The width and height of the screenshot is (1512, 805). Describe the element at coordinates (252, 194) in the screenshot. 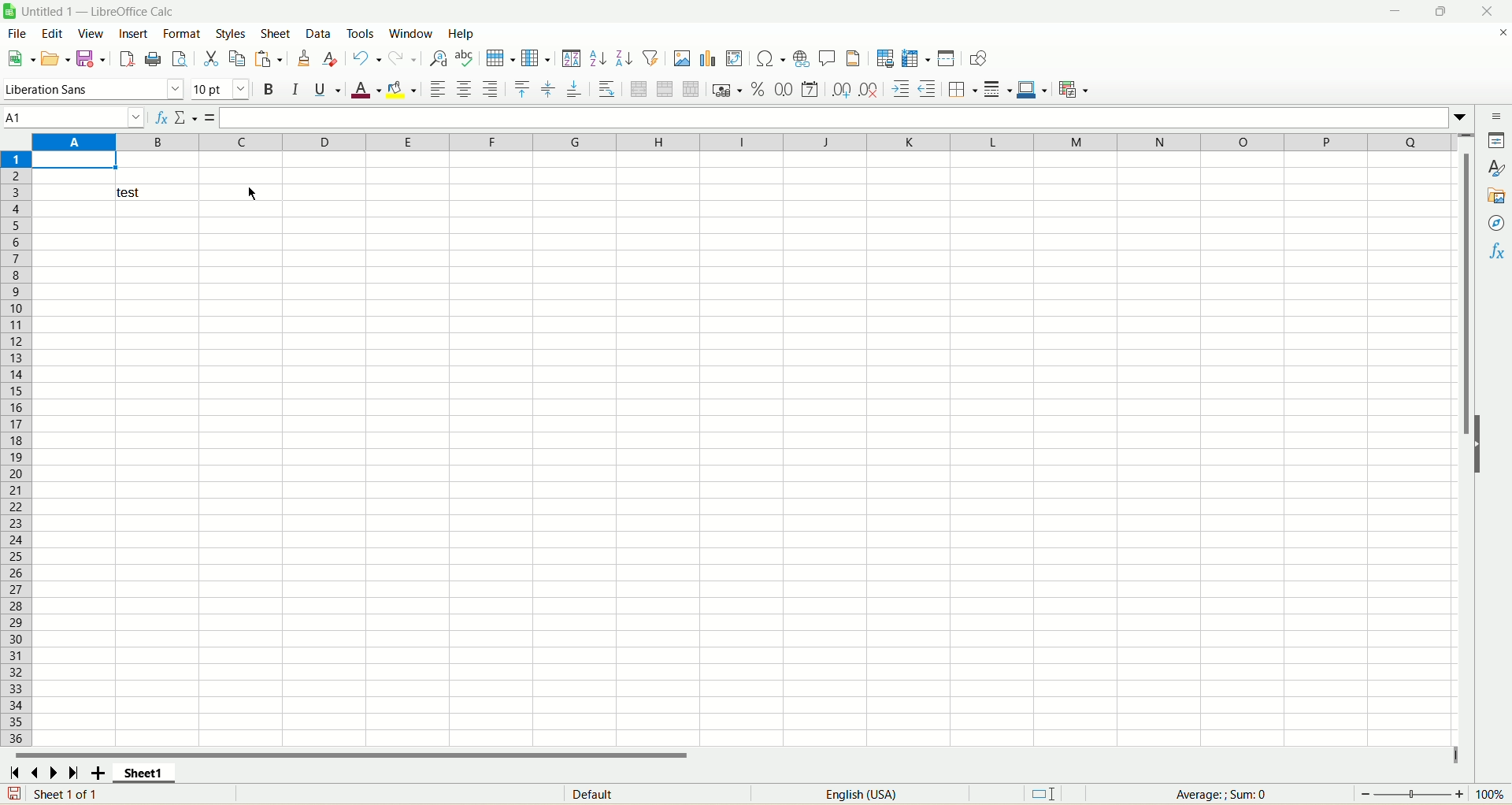

I see `Cursor` at that location.